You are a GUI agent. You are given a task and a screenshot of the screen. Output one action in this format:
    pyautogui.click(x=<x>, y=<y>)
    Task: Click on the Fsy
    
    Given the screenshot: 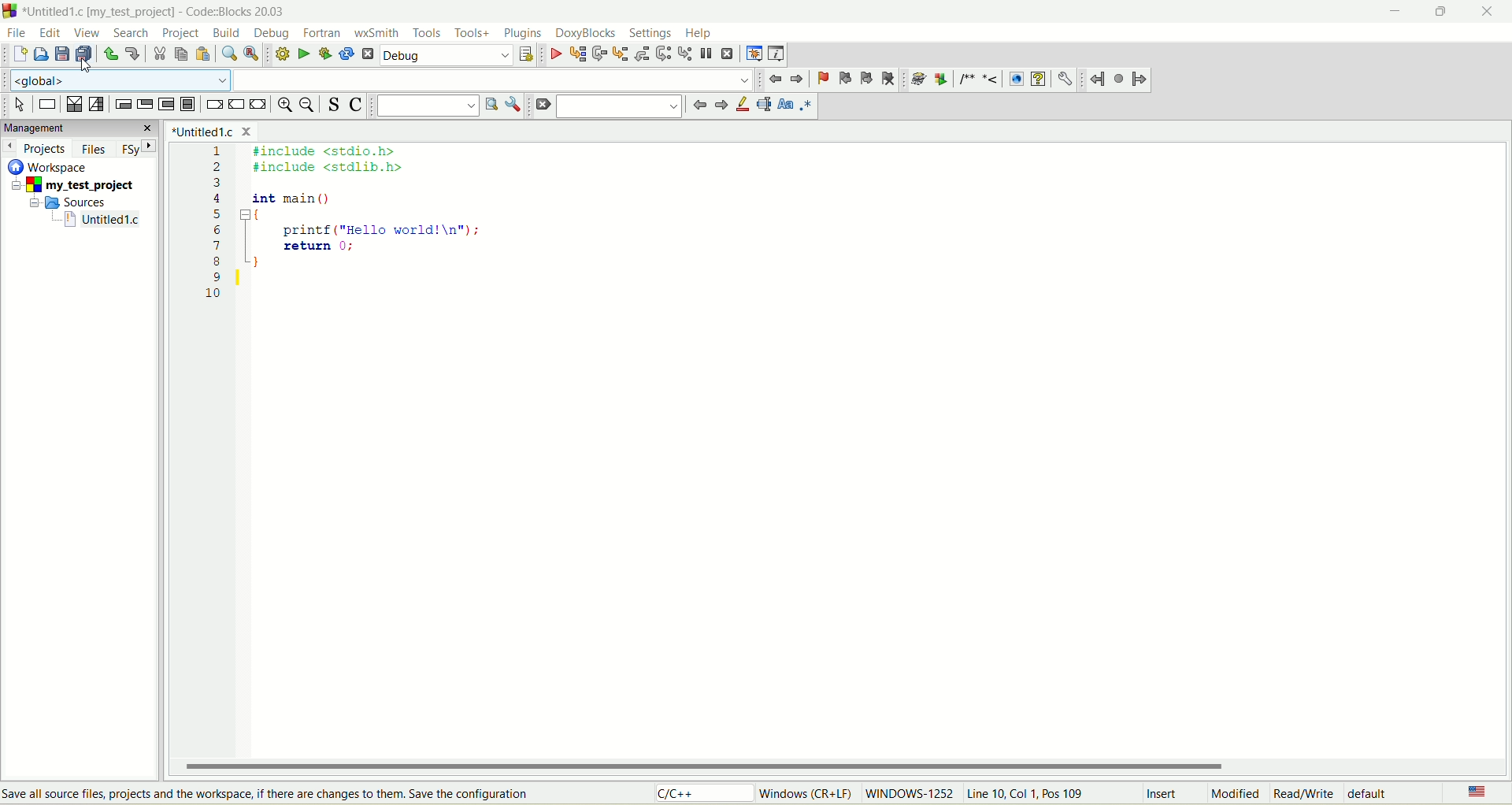 What is the action you would take?
    pyautogui.click(x=141, y=150)
    